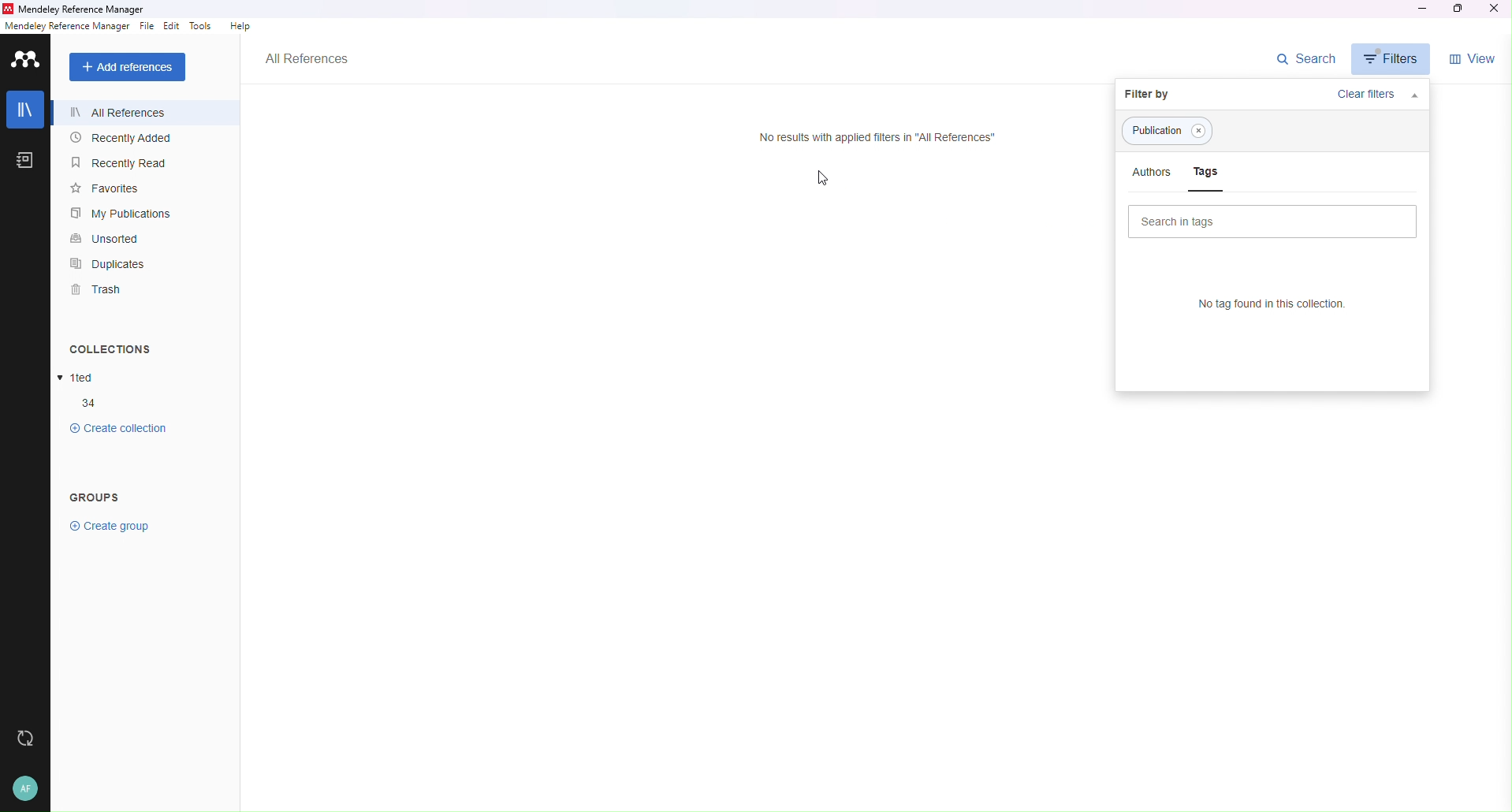  What do you see at coordinates (1476, 58) in the screenshot?
I see `View` at bounding box center [1476, 58].